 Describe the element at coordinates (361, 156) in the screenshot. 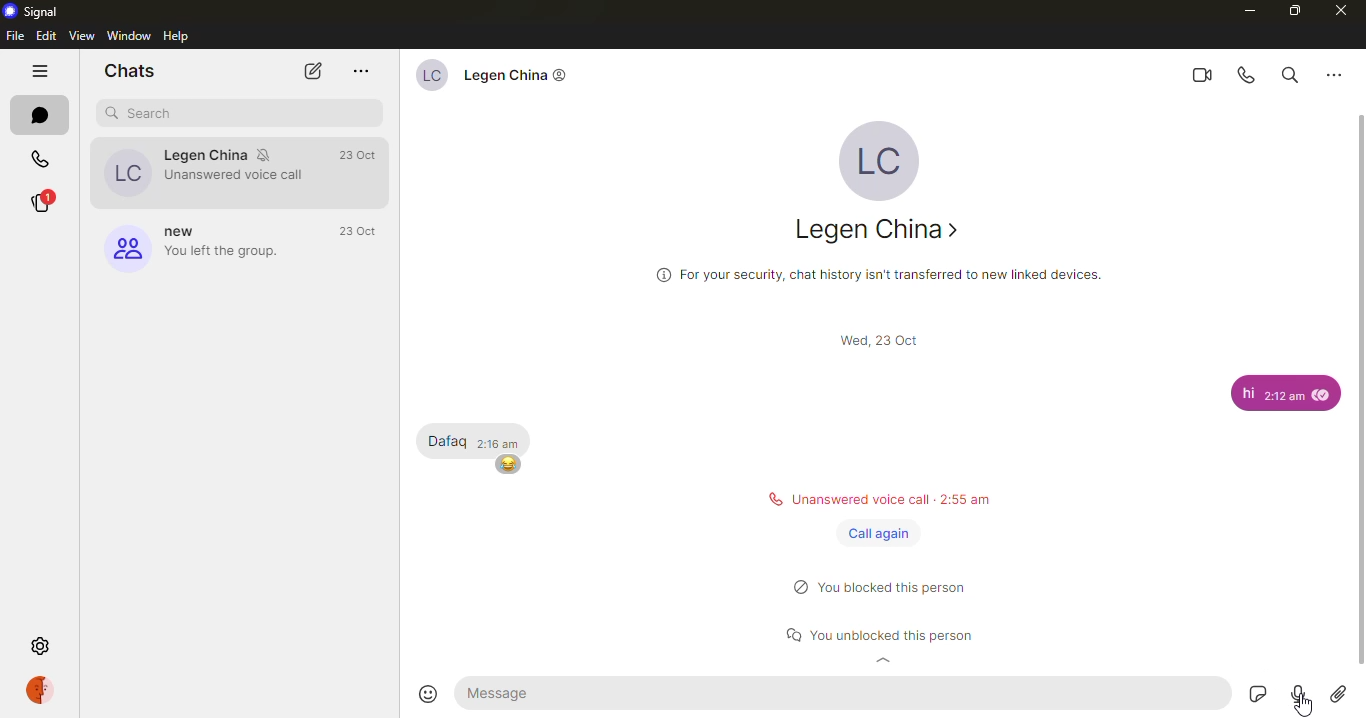

I see `time` at that location.